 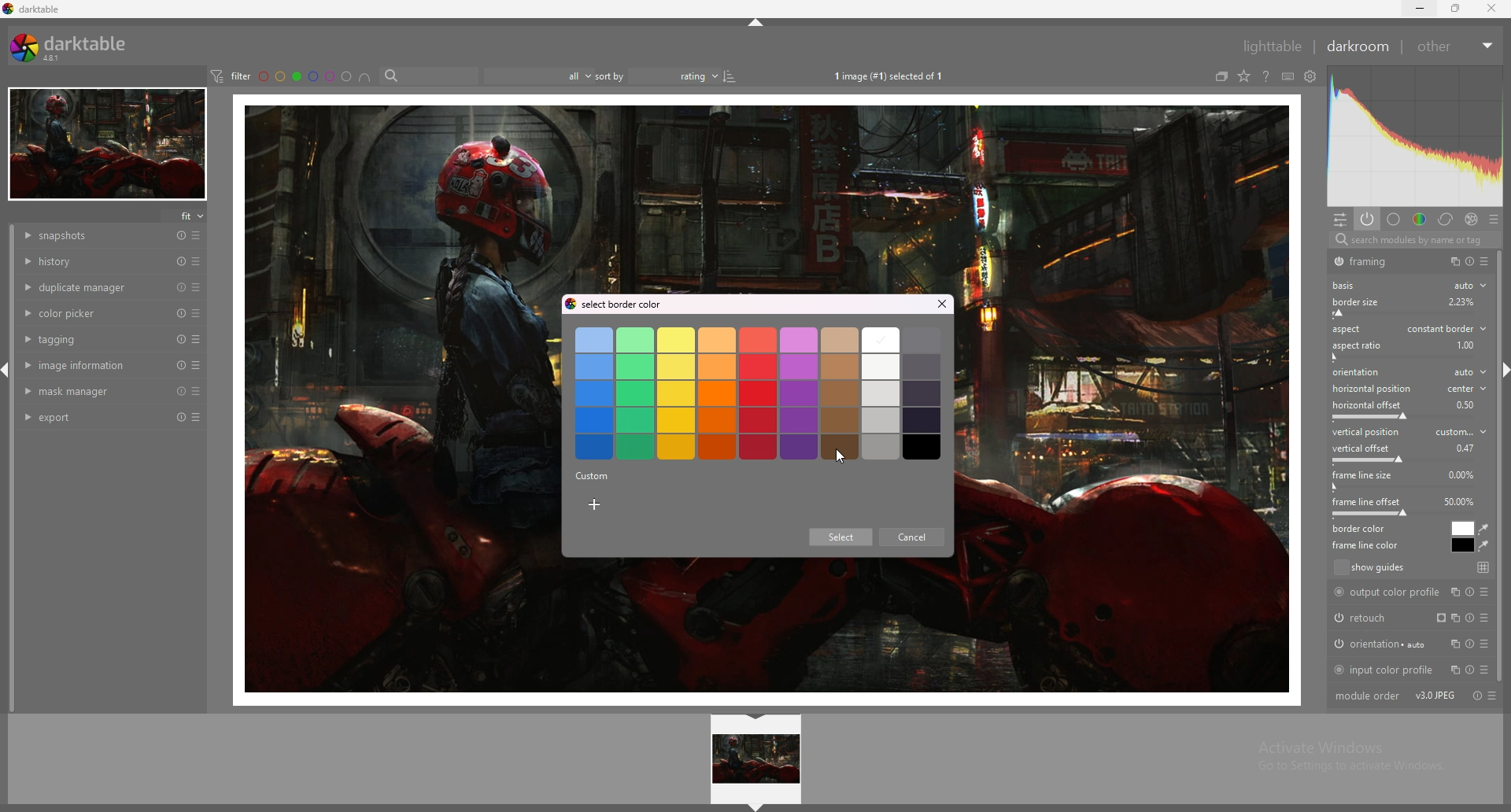 I want to click on effect, so click(x=1469, y=218).